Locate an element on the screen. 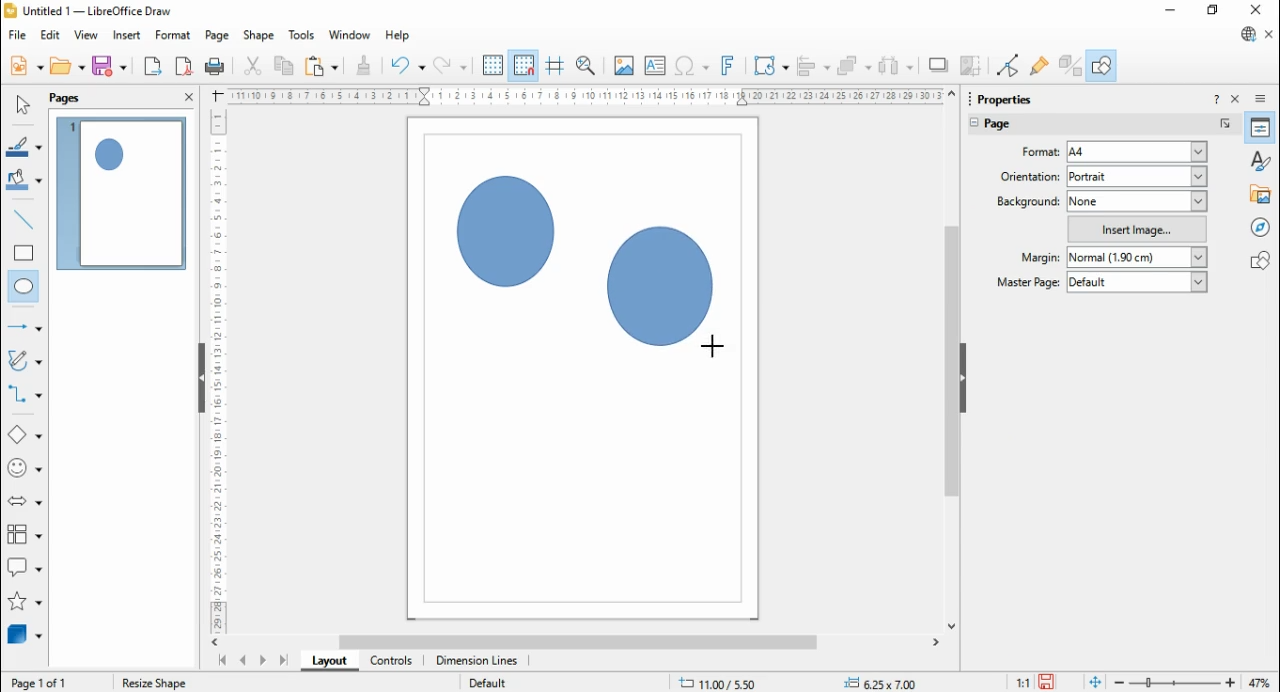 This screenshot has width=1280, height=692. export directly as PDF is located at coordinates (183, 66).